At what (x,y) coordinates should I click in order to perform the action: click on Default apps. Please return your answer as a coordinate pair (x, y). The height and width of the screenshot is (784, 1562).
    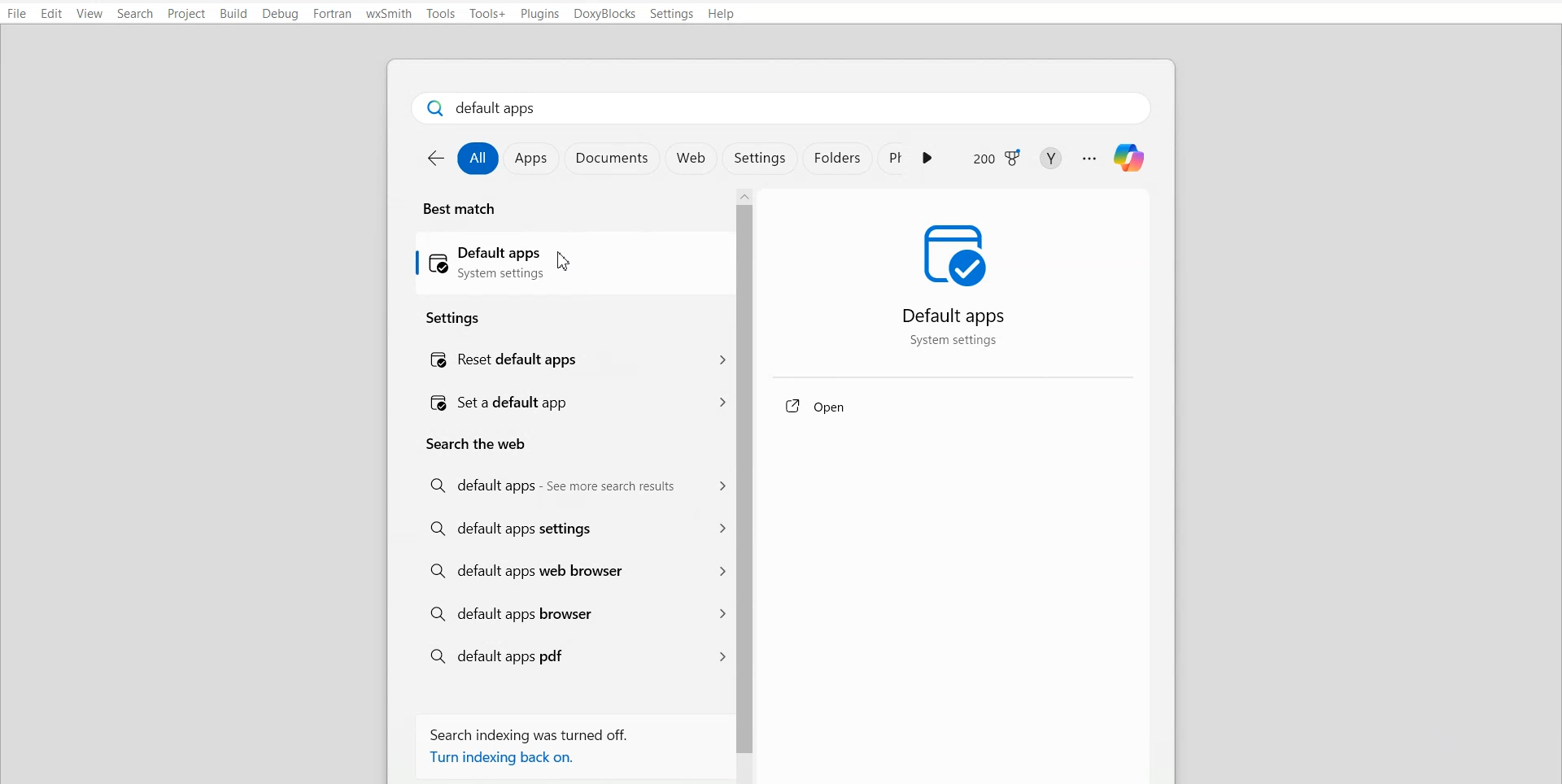
    Looking at the image, I should click on (574, 574).